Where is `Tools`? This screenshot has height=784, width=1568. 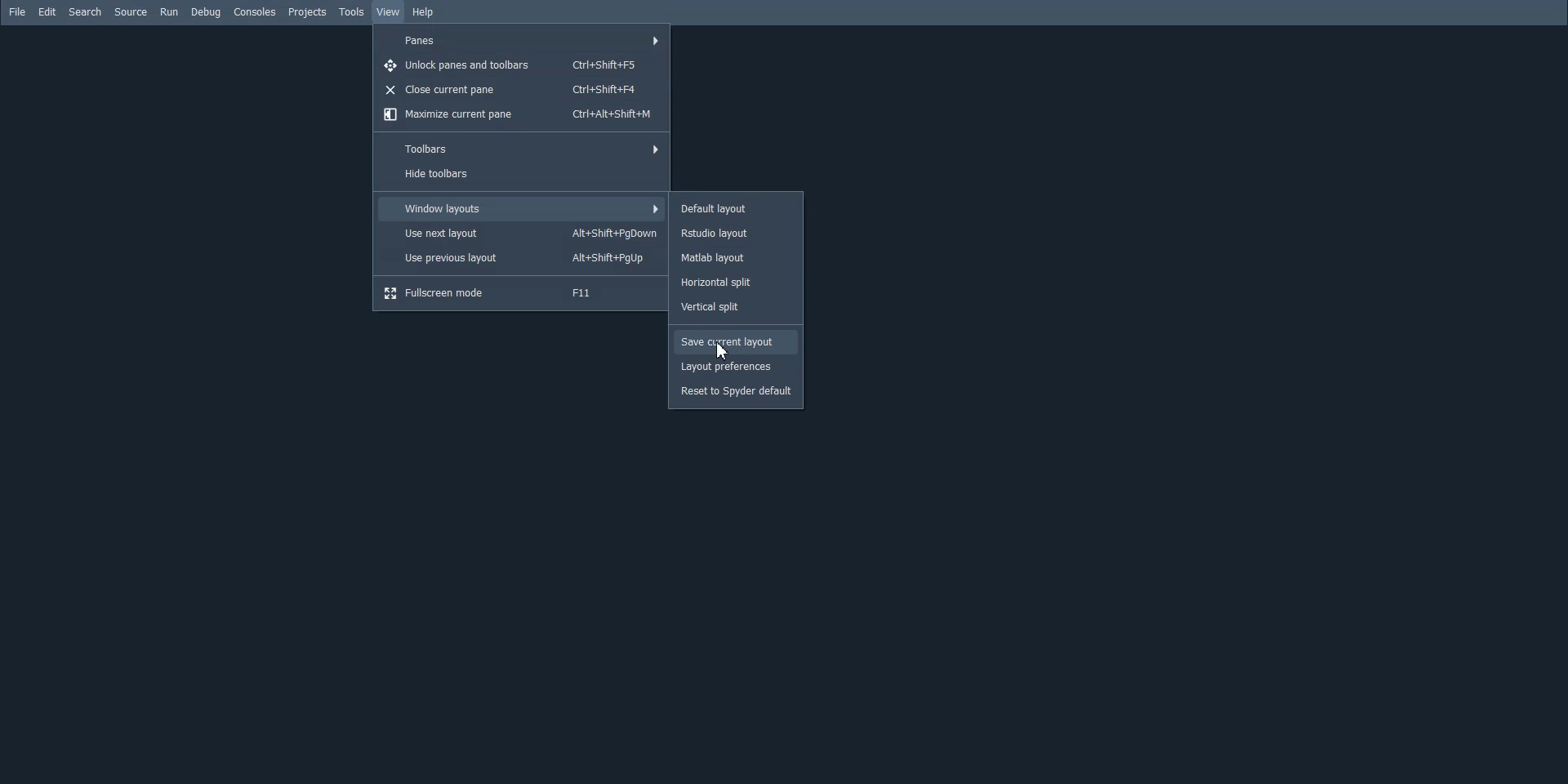
Tools is located at coordinates (353, 12).